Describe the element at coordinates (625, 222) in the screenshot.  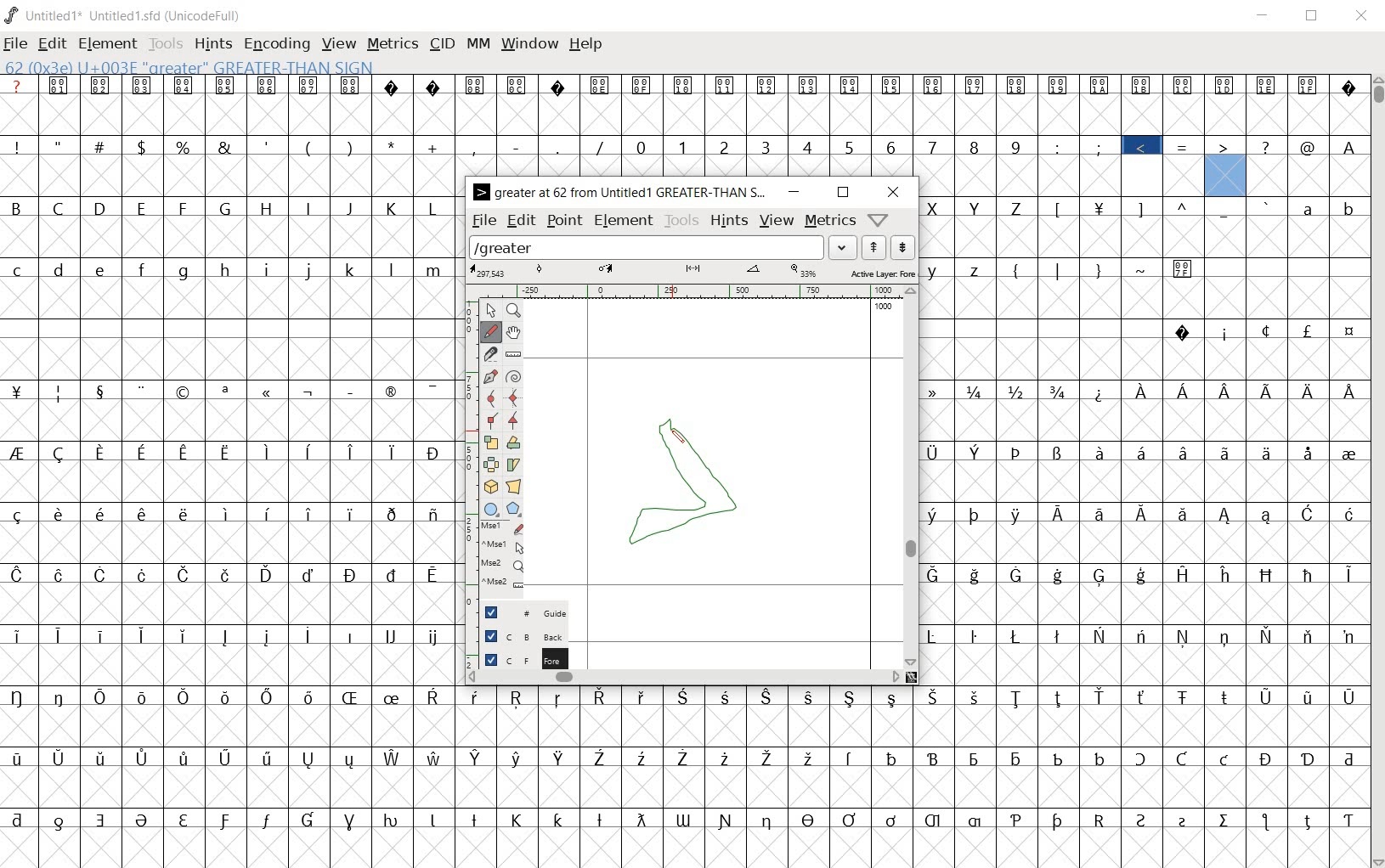
I see `element` at that location.